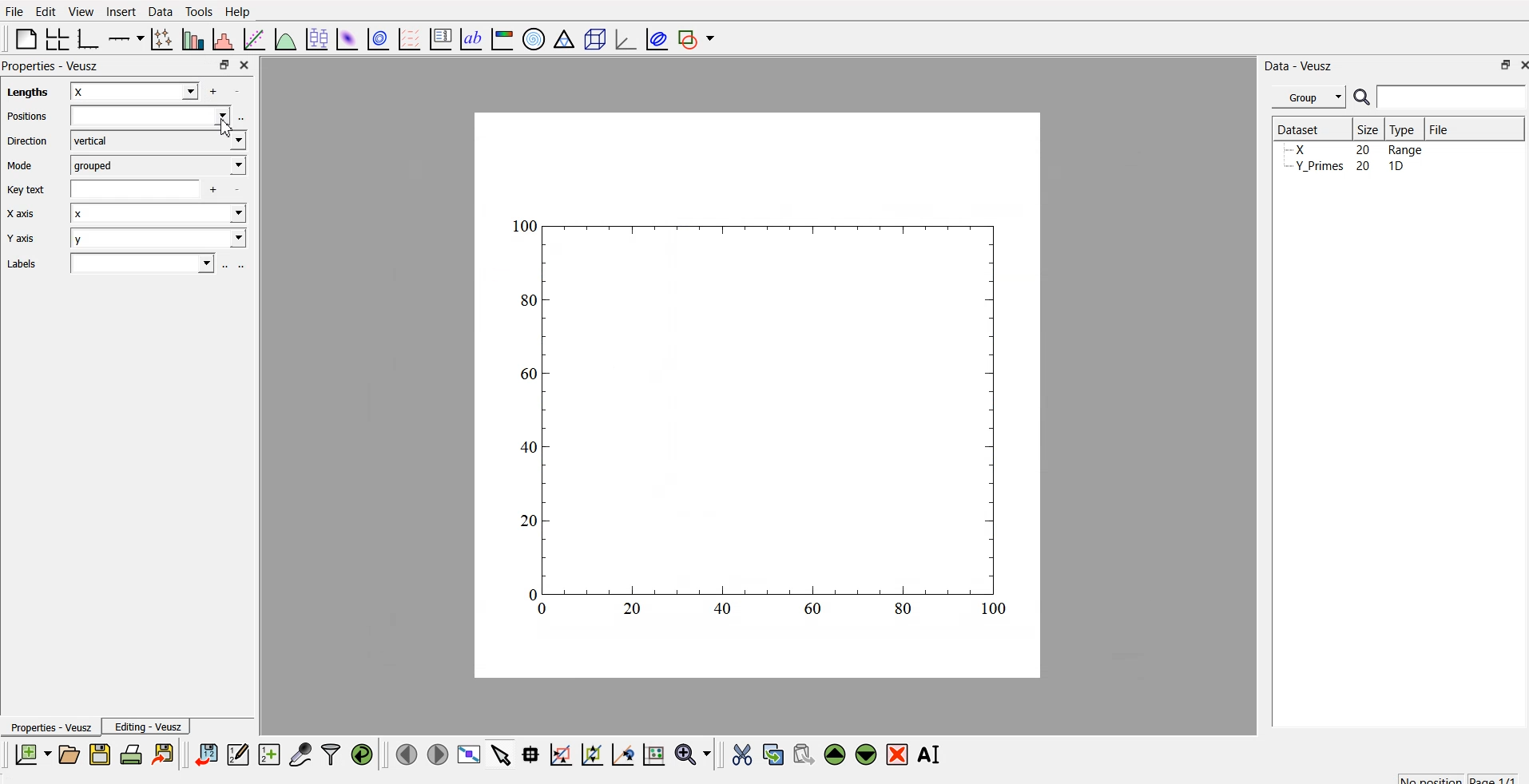  Describe the element at coordinates (121, 117) in the screenshot. I see `Positions` at that location.